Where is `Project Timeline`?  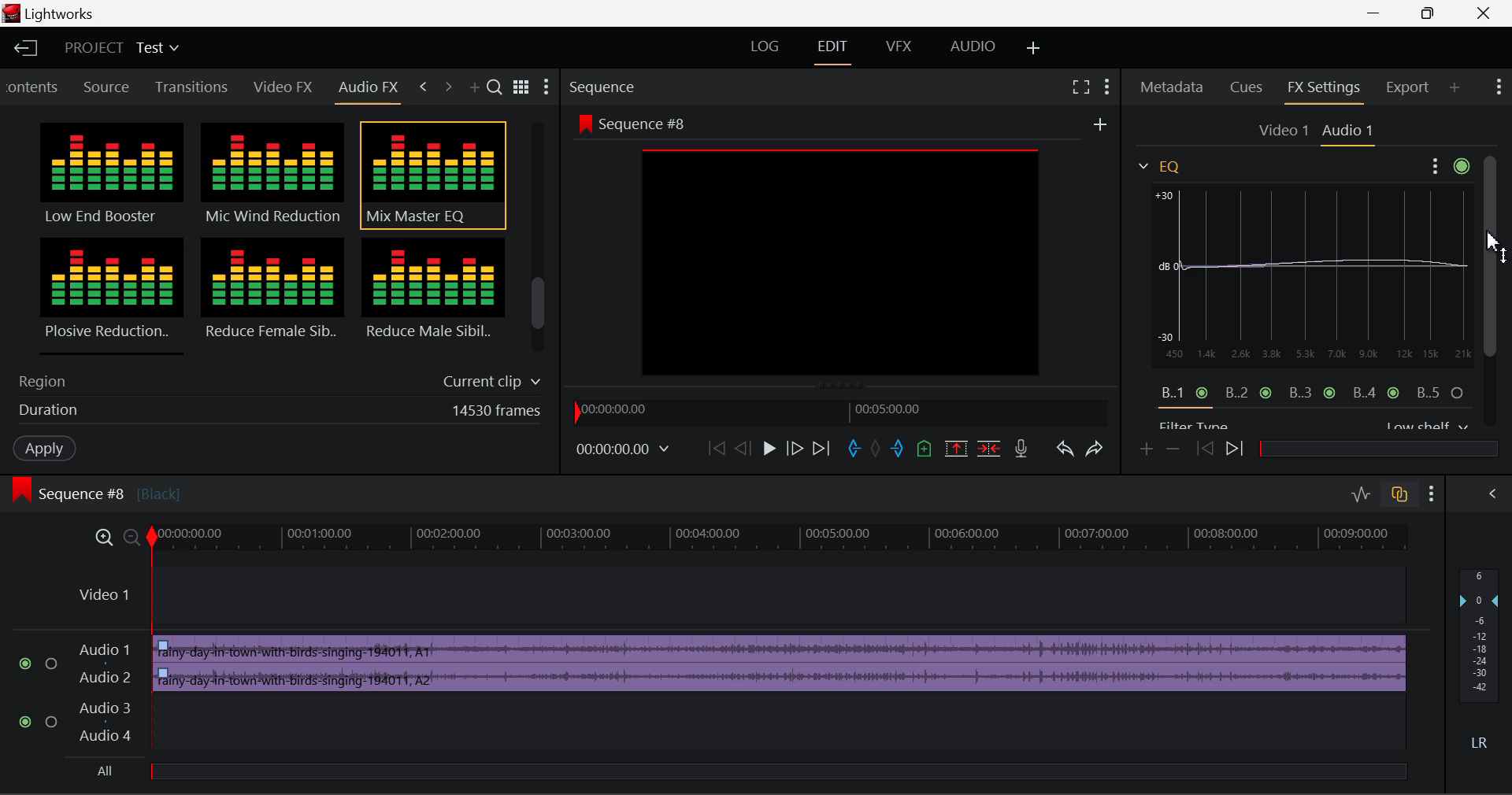 Project Timeline is located at coordinates (783, 539).